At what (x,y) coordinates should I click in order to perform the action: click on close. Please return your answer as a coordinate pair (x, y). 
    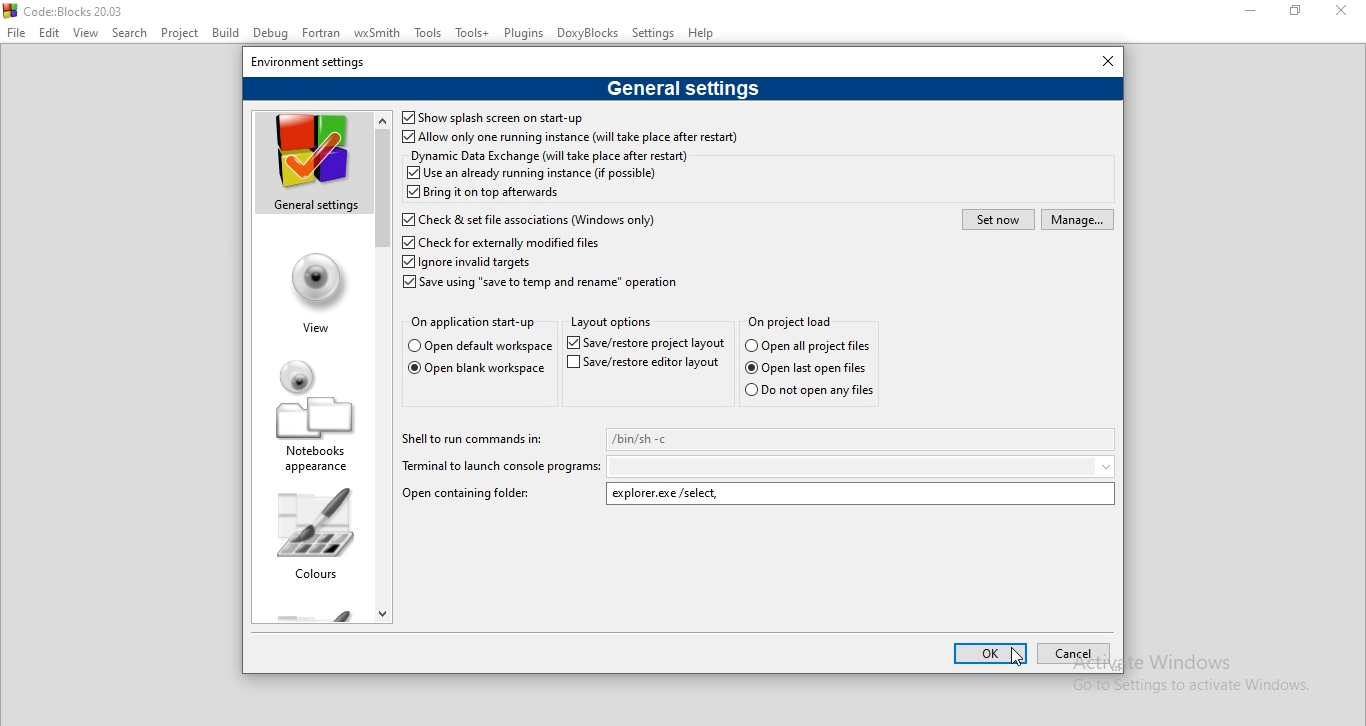
    Looking at the image, I should click on (1099, 61).